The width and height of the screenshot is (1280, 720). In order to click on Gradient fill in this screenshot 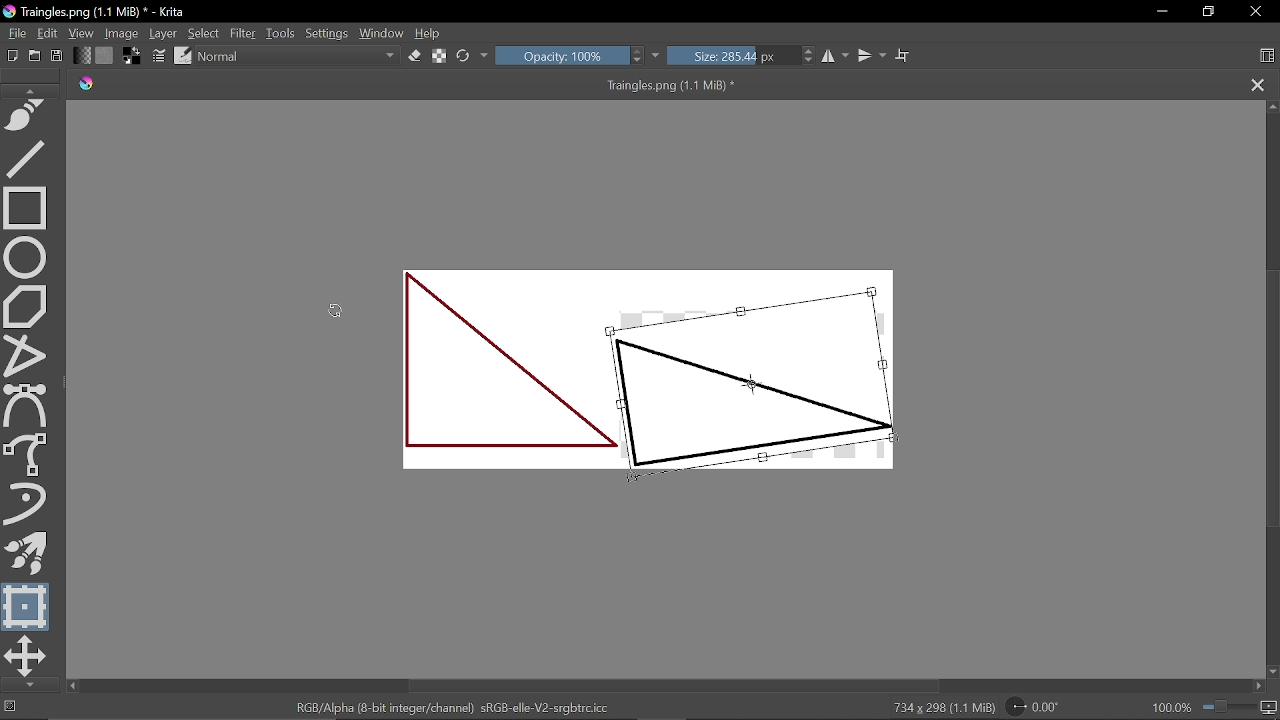, I will do `click(81, 56)`.